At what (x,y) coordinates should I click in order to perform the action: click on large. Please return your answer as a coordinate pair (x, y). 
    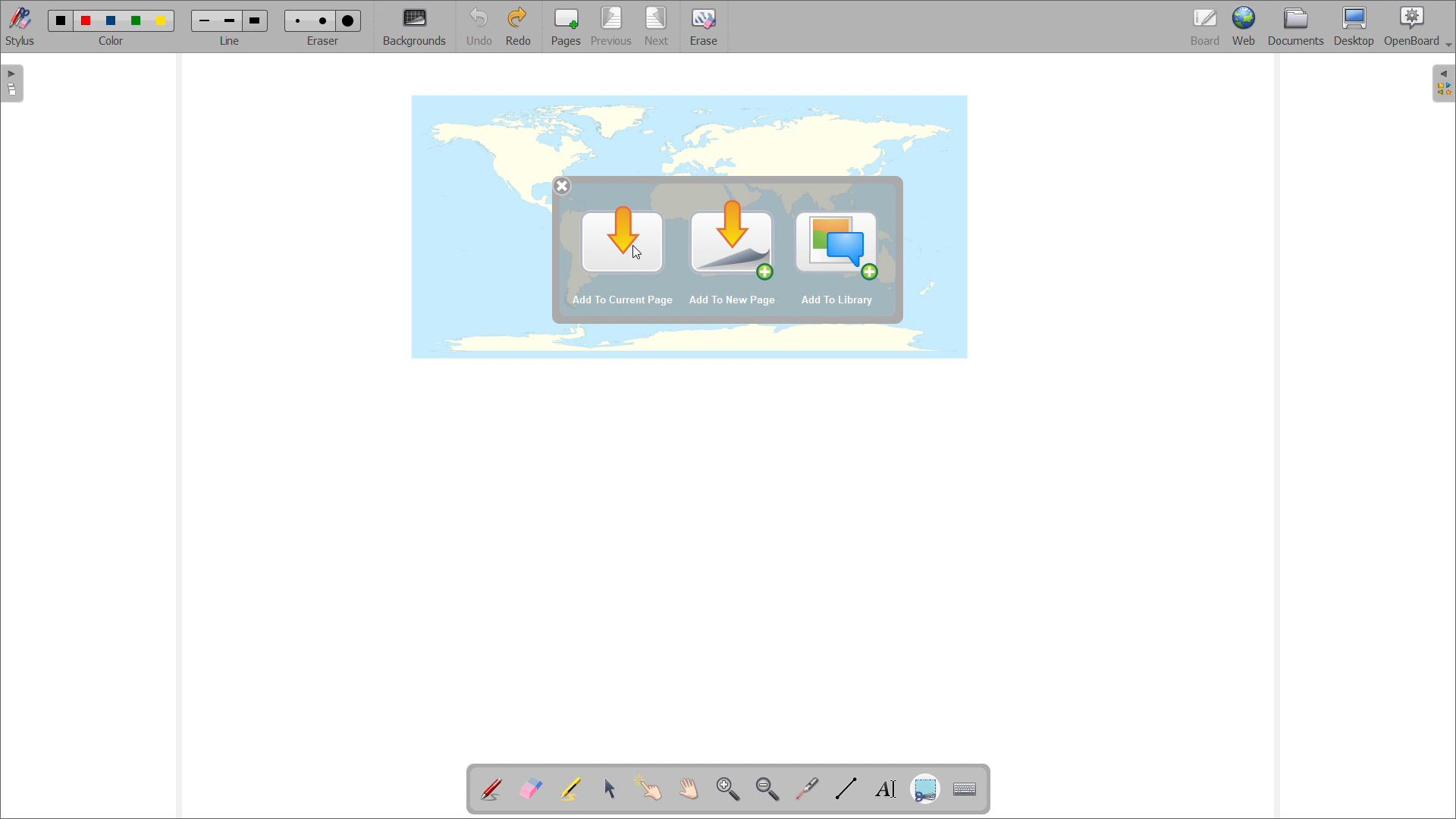
    Looking at the image, I should click on (254, 20).